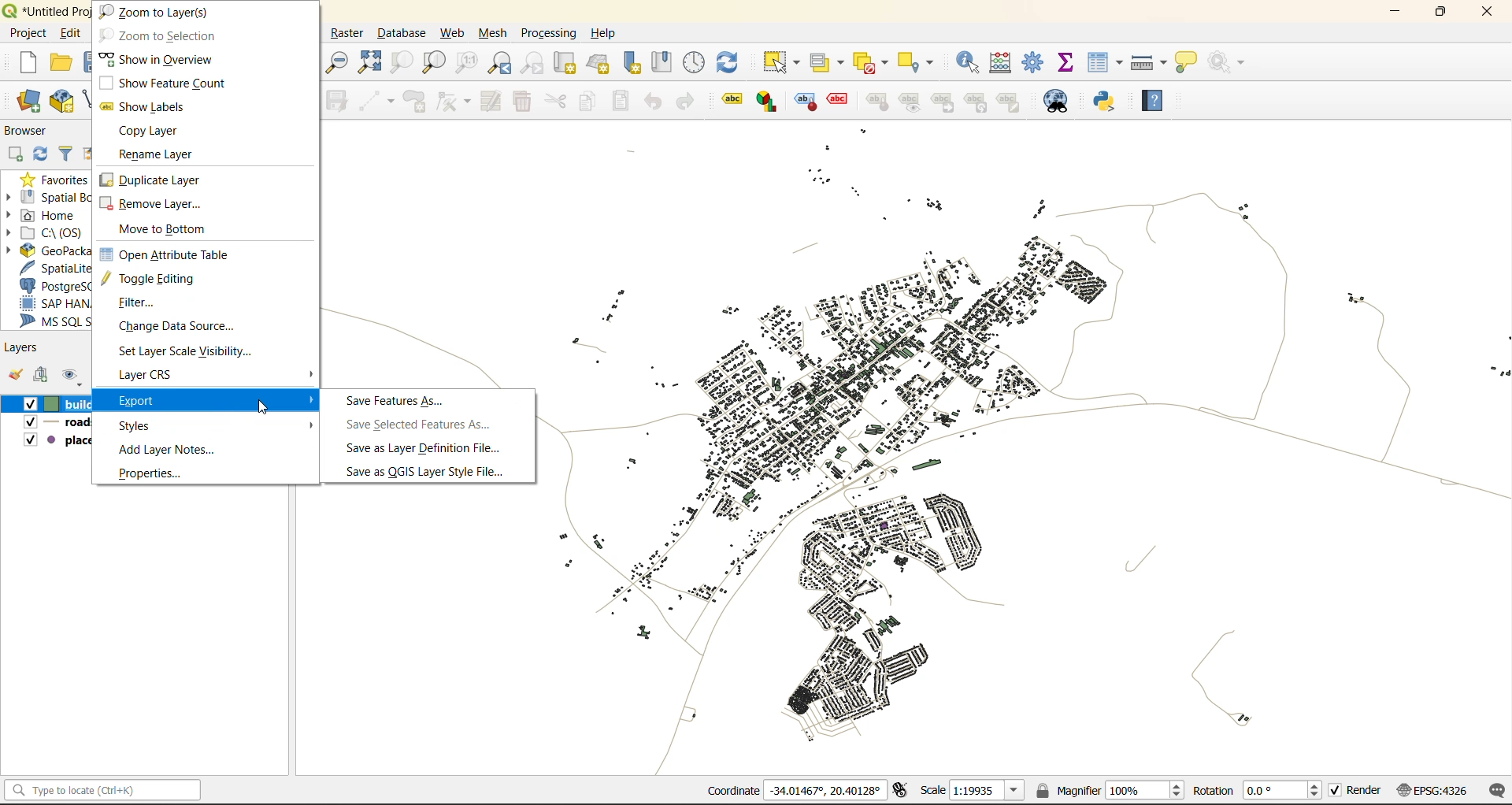 This screenshot has width=1512, height=805. I want to click on no action, so click(1232, 62).